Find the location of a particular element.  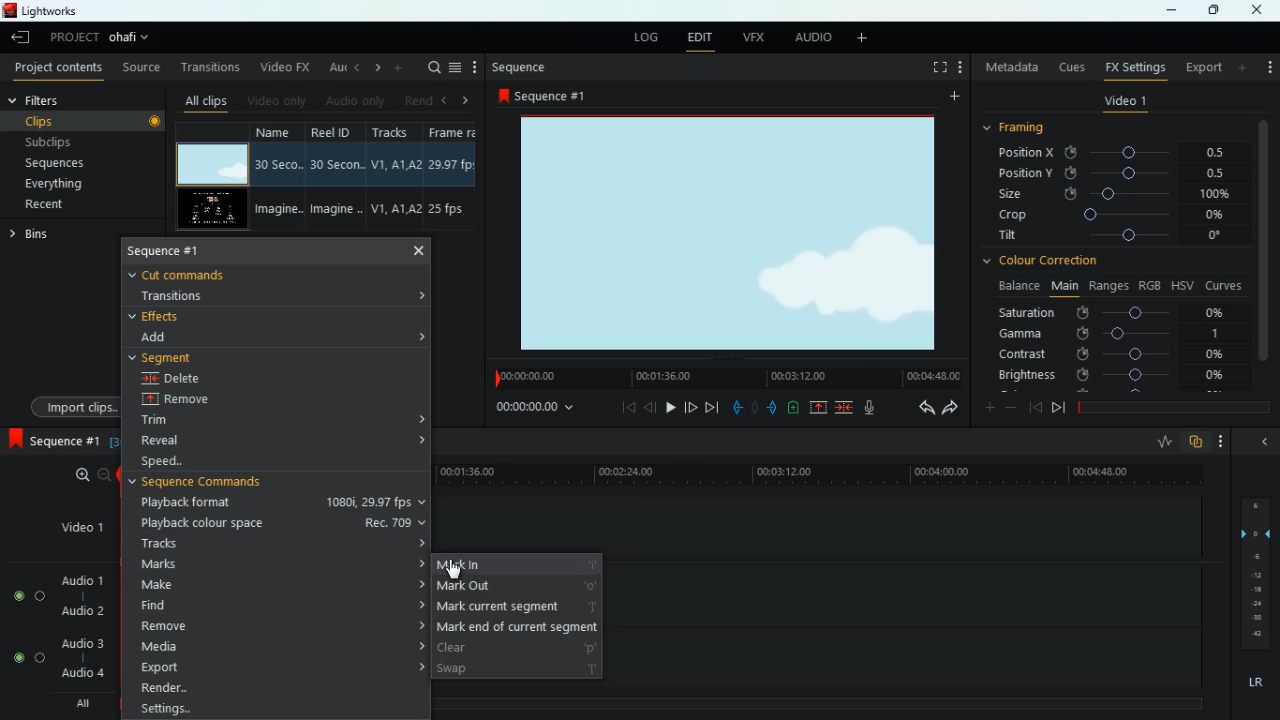

-24 (layer) is located at coordinates (1252, 604).